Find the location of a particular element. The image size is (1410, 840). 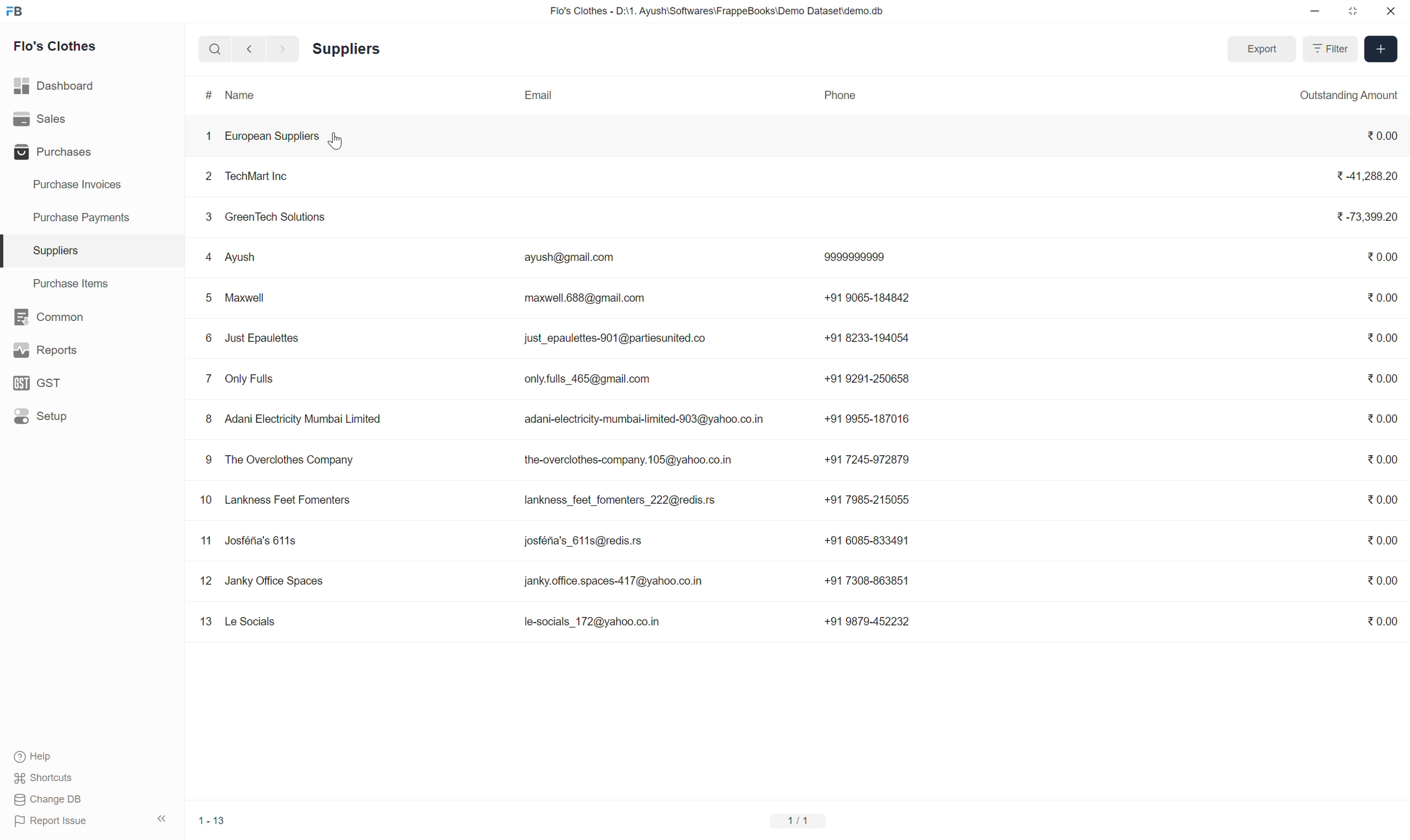

close is located at coordinates (1391, 13).